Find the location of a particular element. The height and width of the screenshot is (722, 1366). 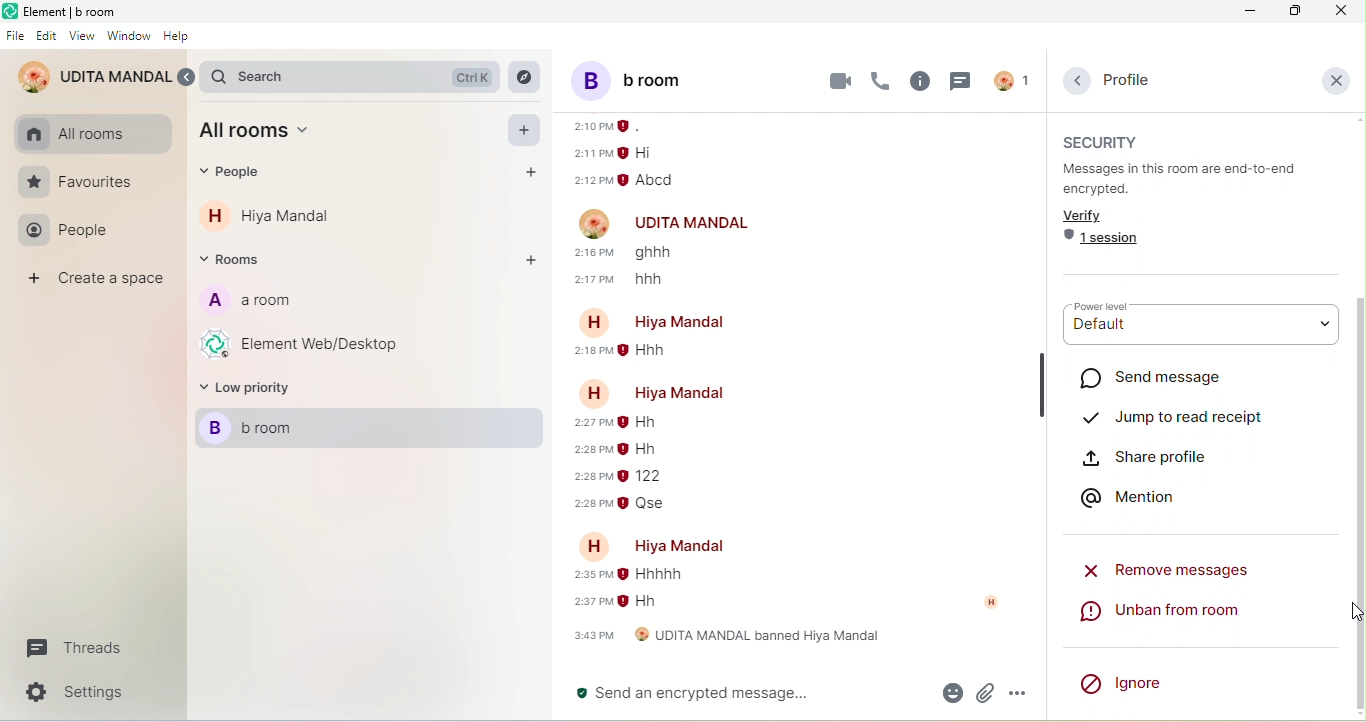

scroll down is located at coordinates (1357, 717).